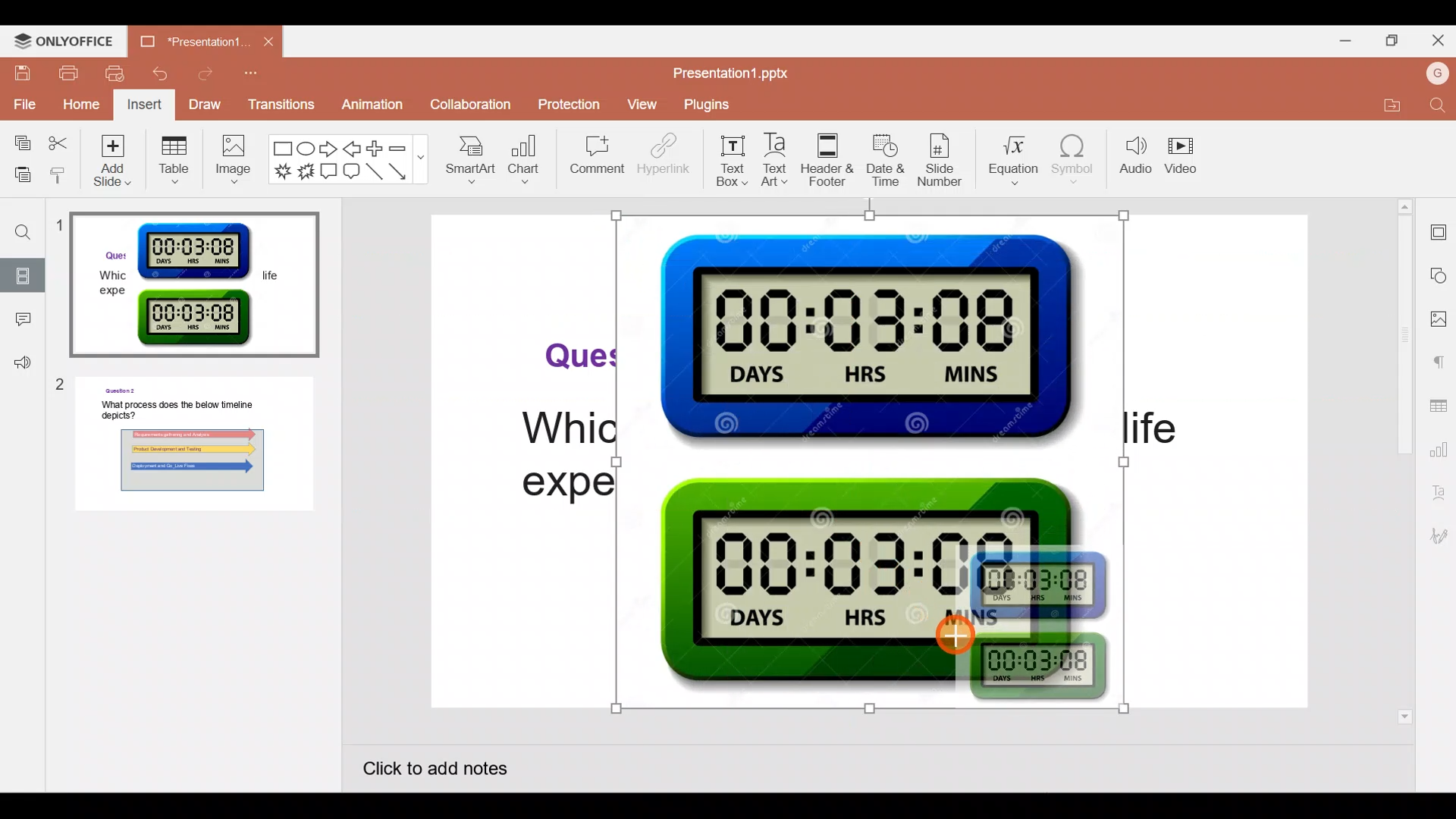 This screenshot has width=1456, height=819. What do you see at coordinates (21, 324) in the screenshot?
I see `Comment` at bounding box center [21, 324].